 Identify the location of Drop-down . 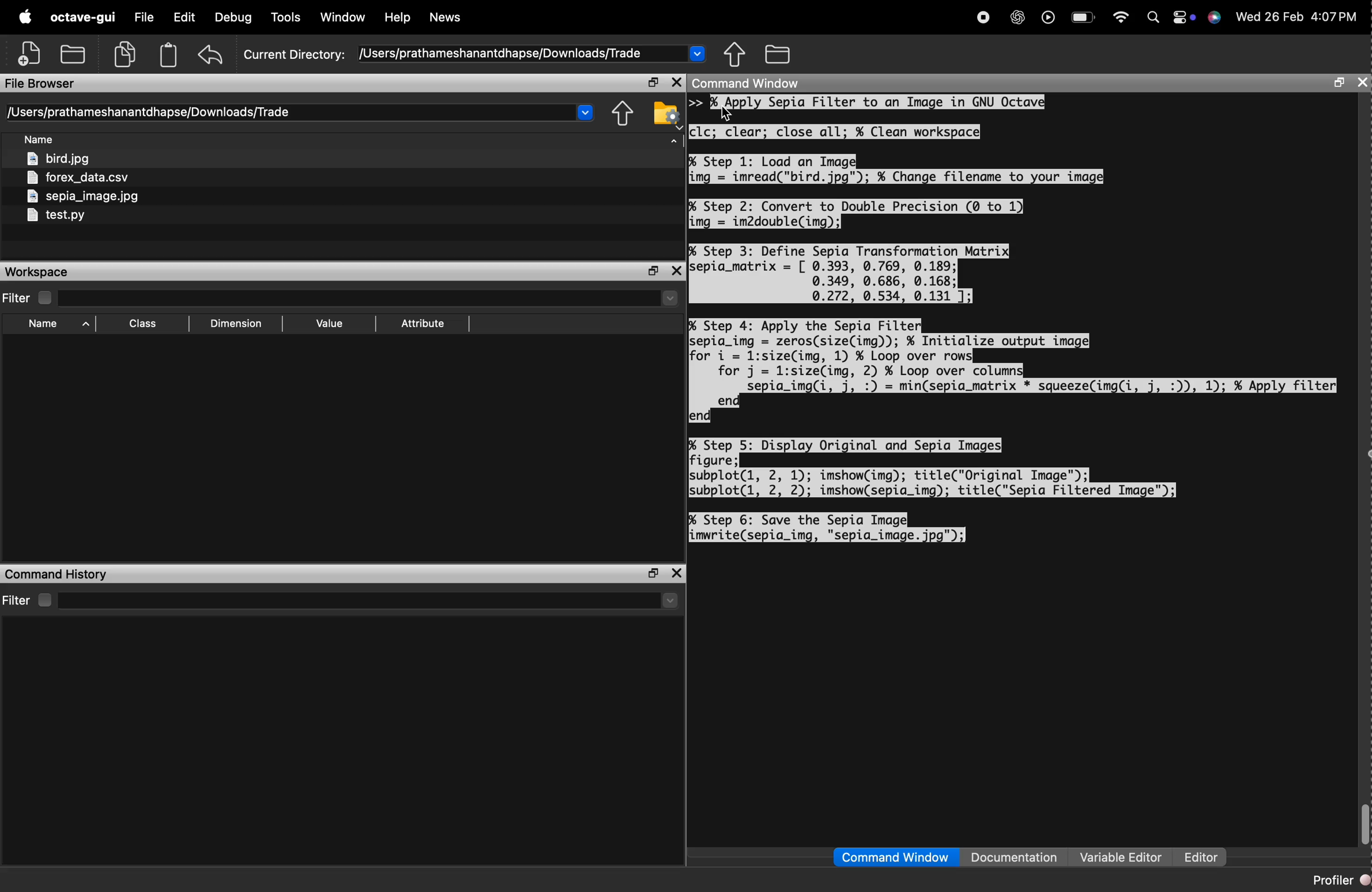
(670, 298).